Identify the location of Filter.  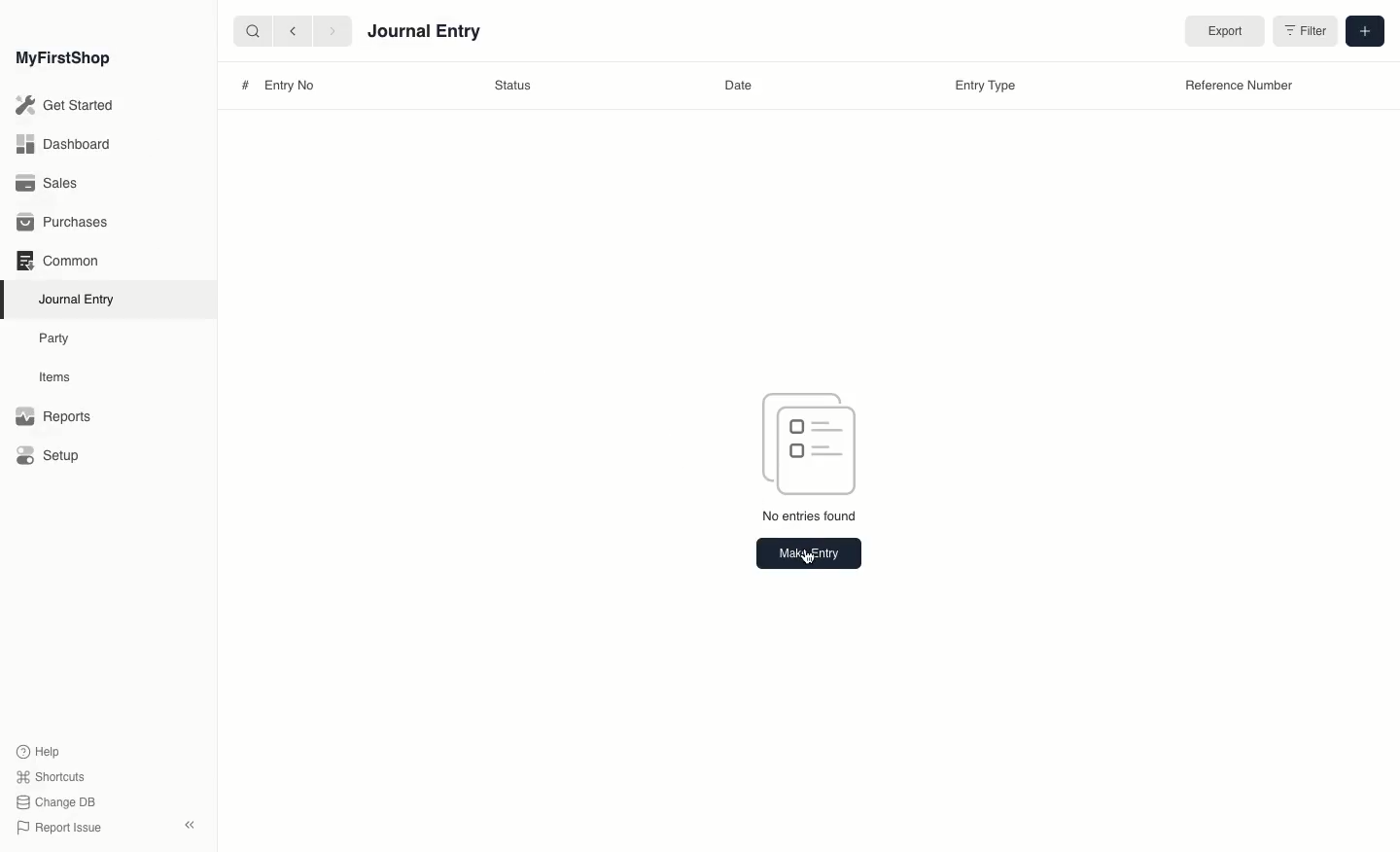
(1304, 33).